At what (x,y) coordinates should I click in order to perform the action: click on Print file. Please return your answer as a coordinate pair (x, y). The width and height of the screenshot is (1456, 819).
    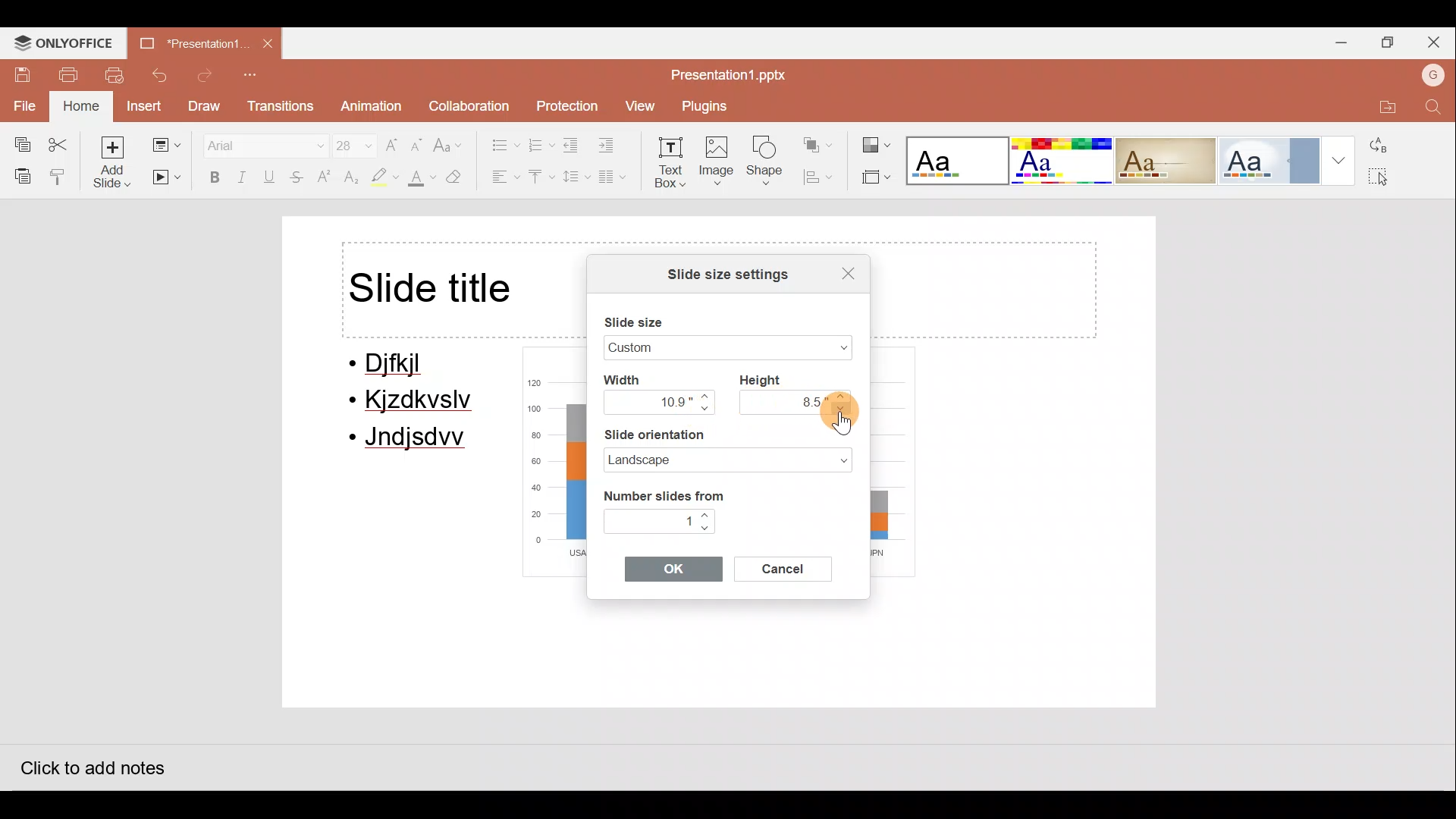
    Looking at the image, I should click on (68, 74).